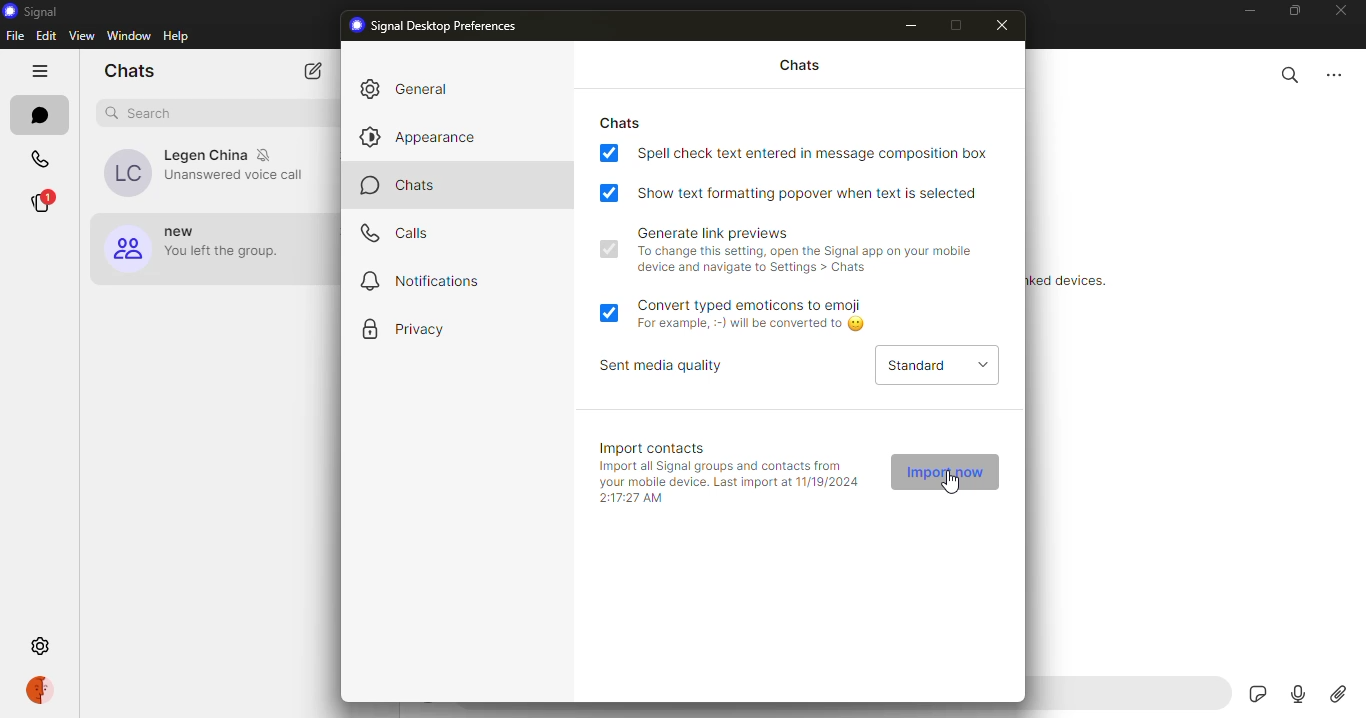 This screenshot has height=718, width=1366. What do you see at coordinates (804, 260) in the screenshot?
I see `info` at bounding box center [804, 260].